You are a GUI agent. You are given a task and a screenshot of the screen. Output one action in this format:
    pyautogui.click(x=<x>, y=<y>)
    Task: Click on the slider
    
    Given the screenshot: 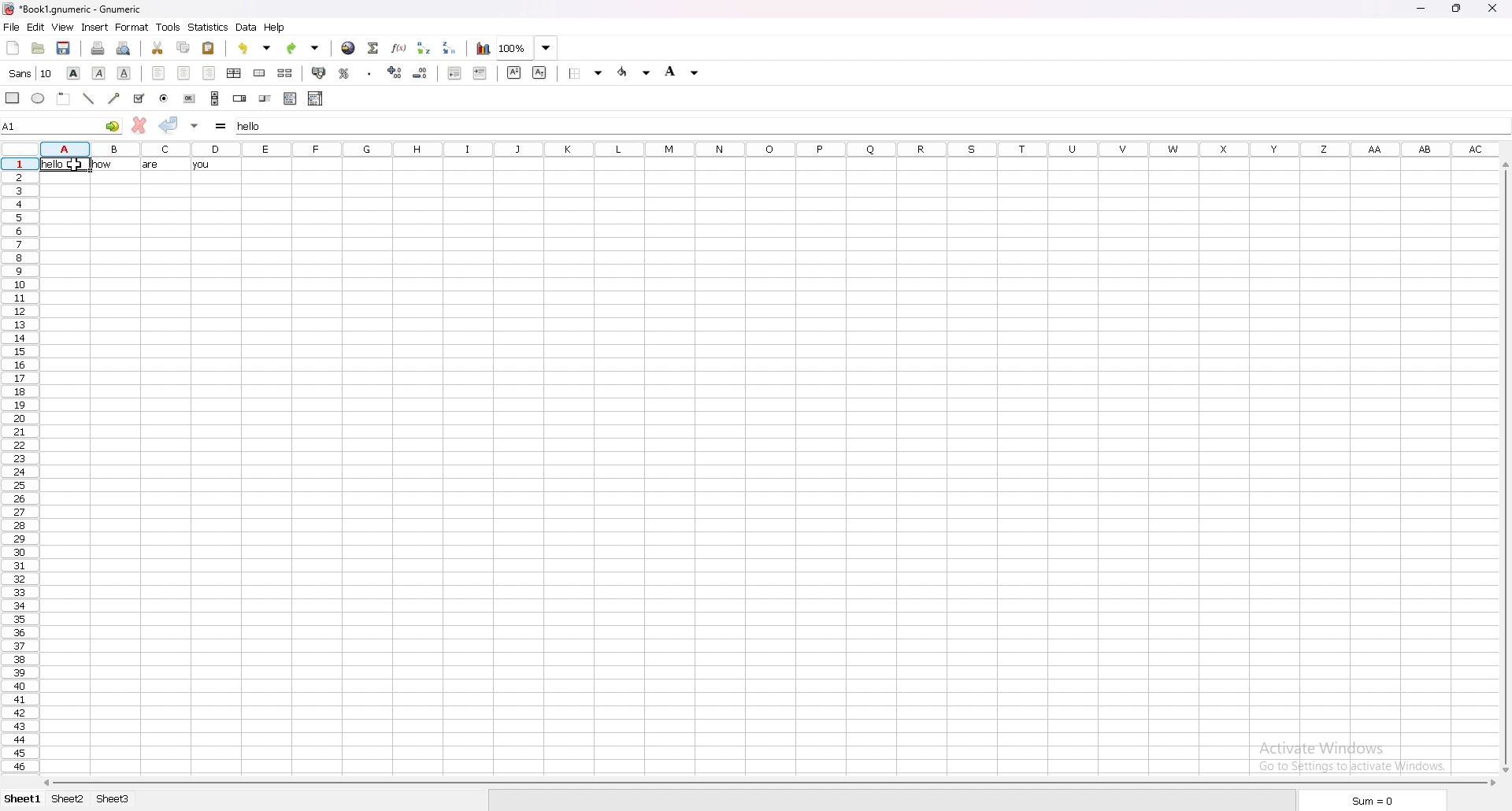 What is the action you would take?
    pyautogui.click(x=265, y=98)
    